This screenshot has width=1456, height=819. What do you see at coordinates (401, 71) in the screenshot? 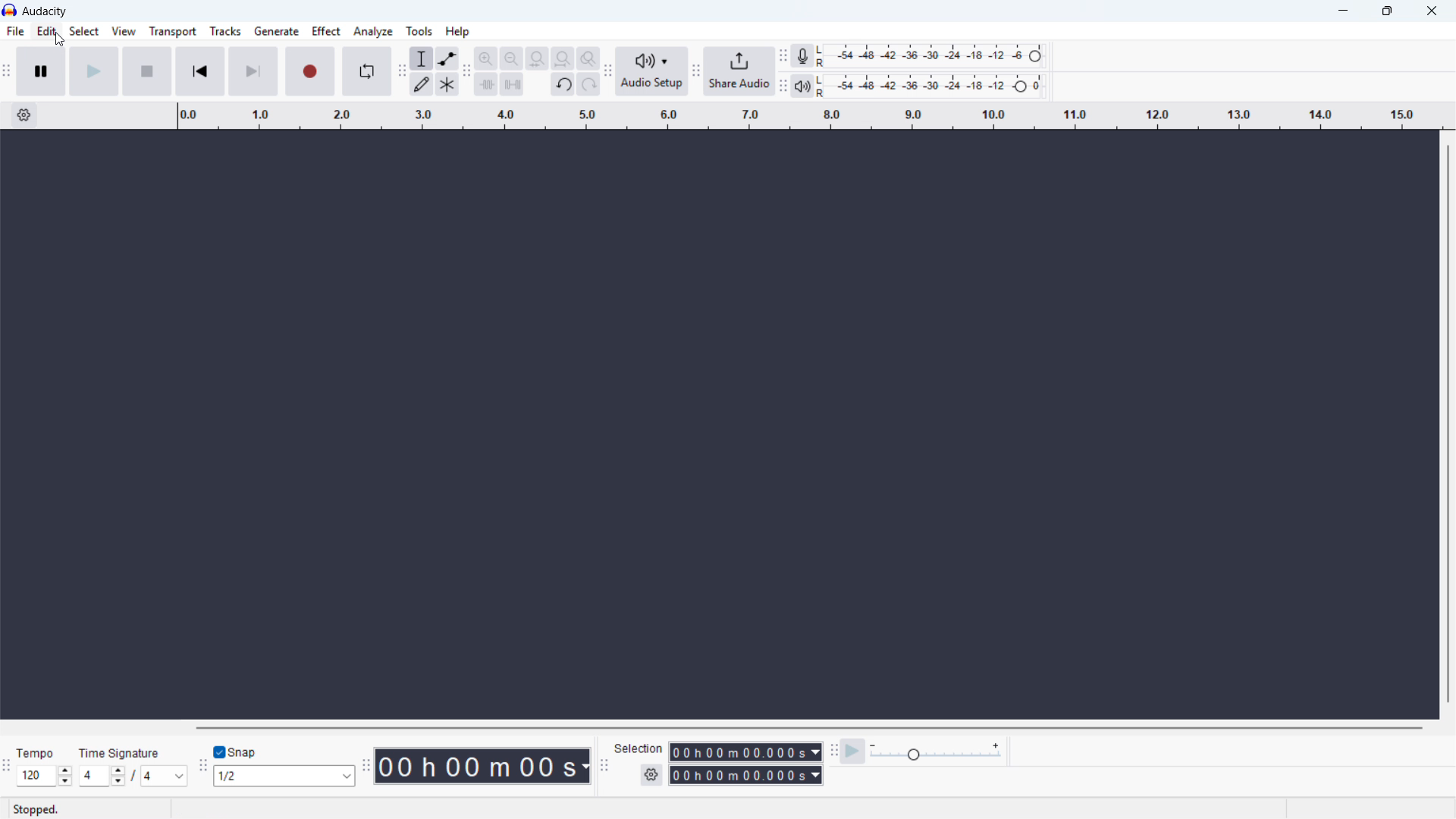
I see `tools toolbar` at bounding box center [401, 71].